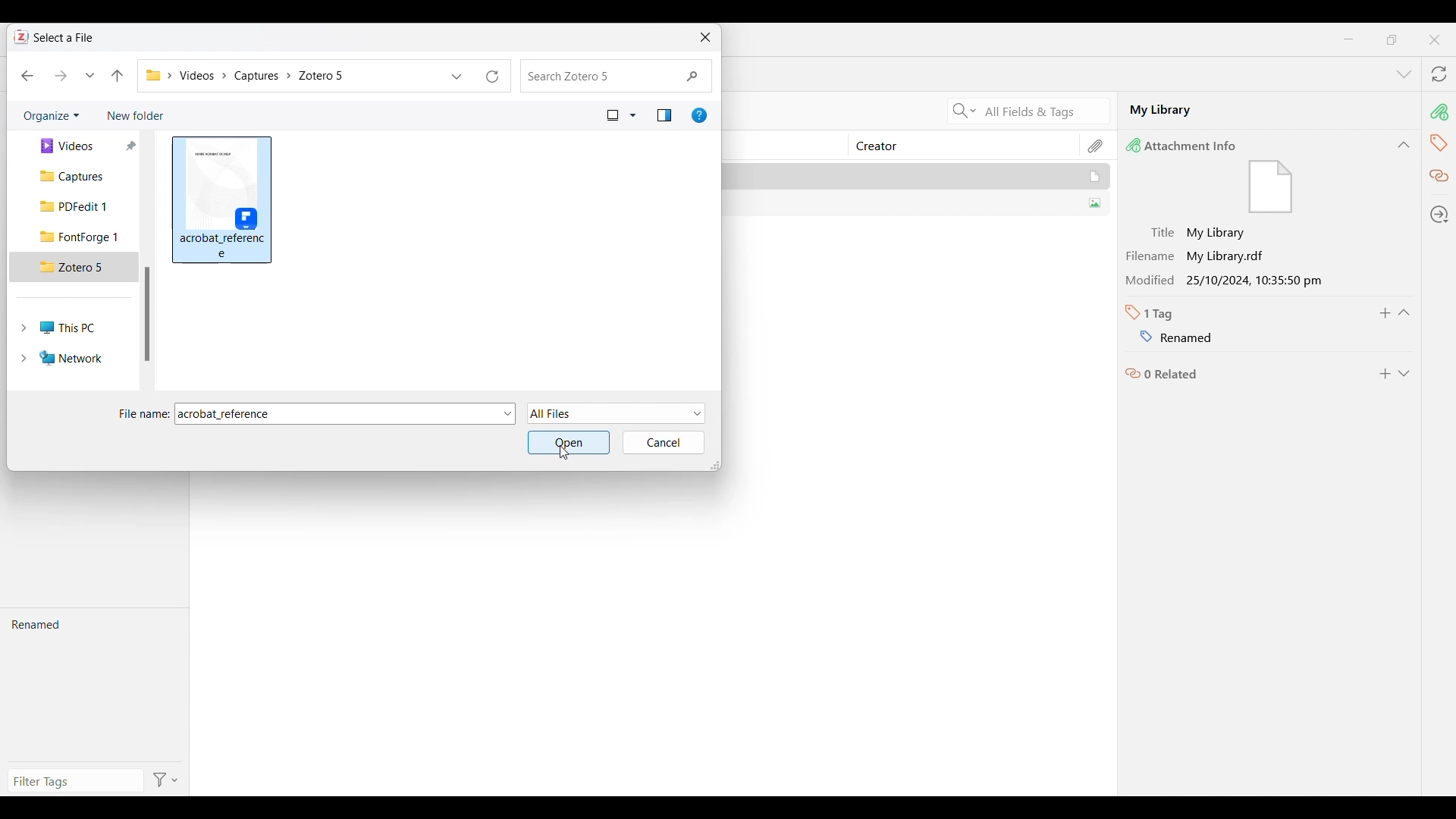 Image resolution: width=1456 pixels, height=819 pixels. Describe the element at coordinates (1200, 230) in the screenshot. I see `Title My Library` at that location.